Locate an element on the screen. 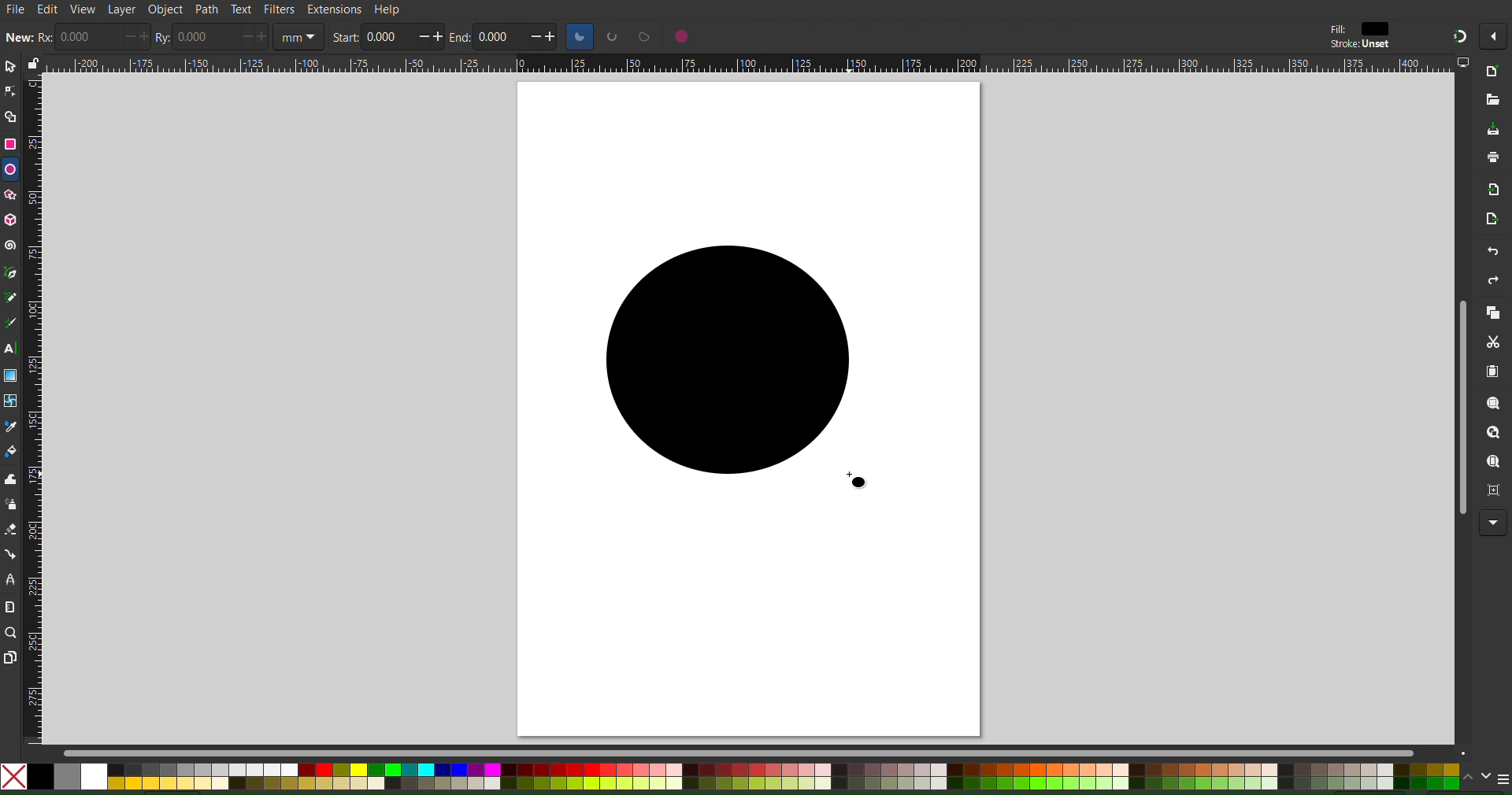 Image resolution: width=1512 pixels, height=795 pixels. unit is located at coordinates (296, 35).